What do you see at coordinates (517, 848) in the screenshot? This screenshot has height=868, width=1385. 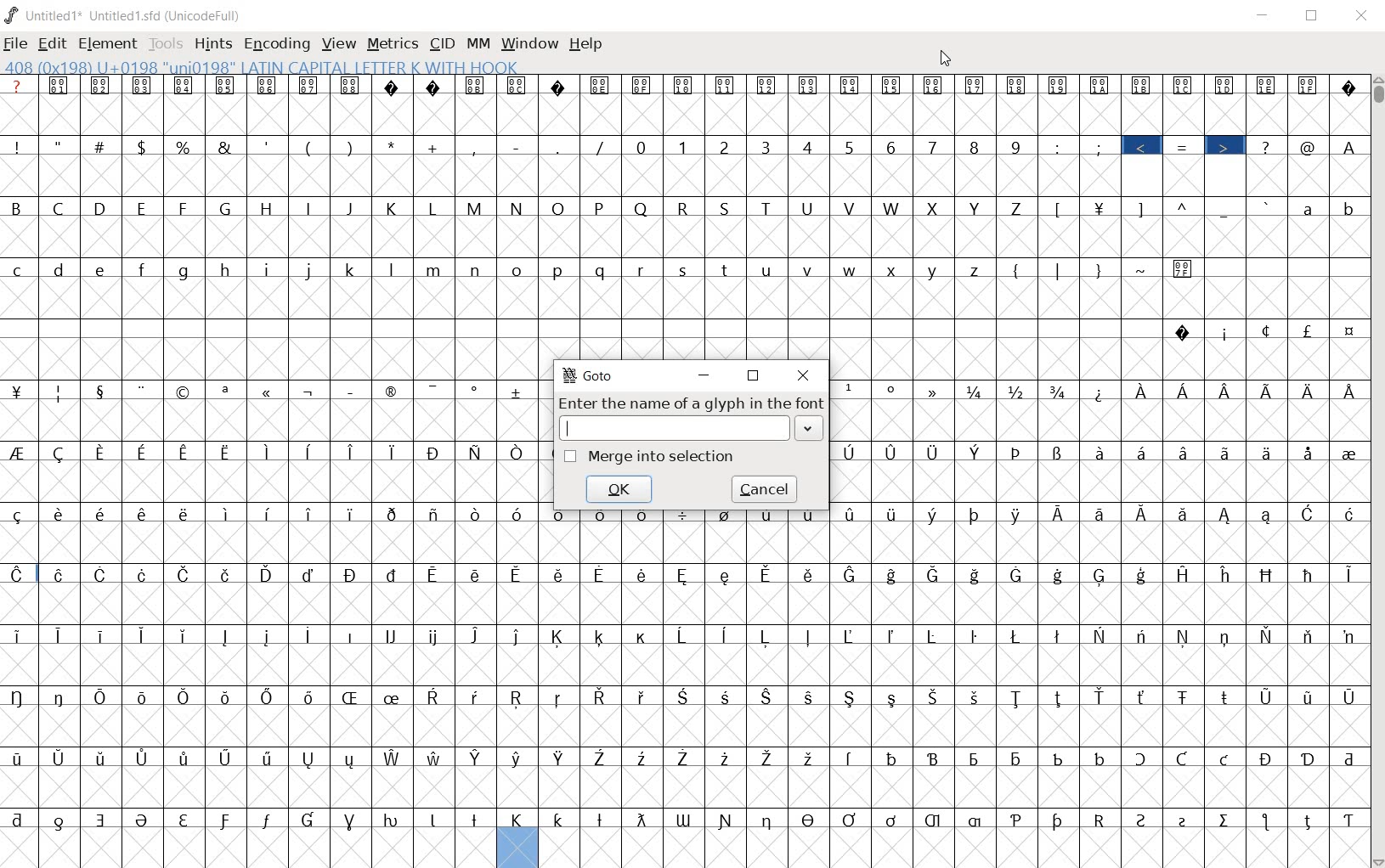 I see `edited glyph` at bounding box center [517, 848].